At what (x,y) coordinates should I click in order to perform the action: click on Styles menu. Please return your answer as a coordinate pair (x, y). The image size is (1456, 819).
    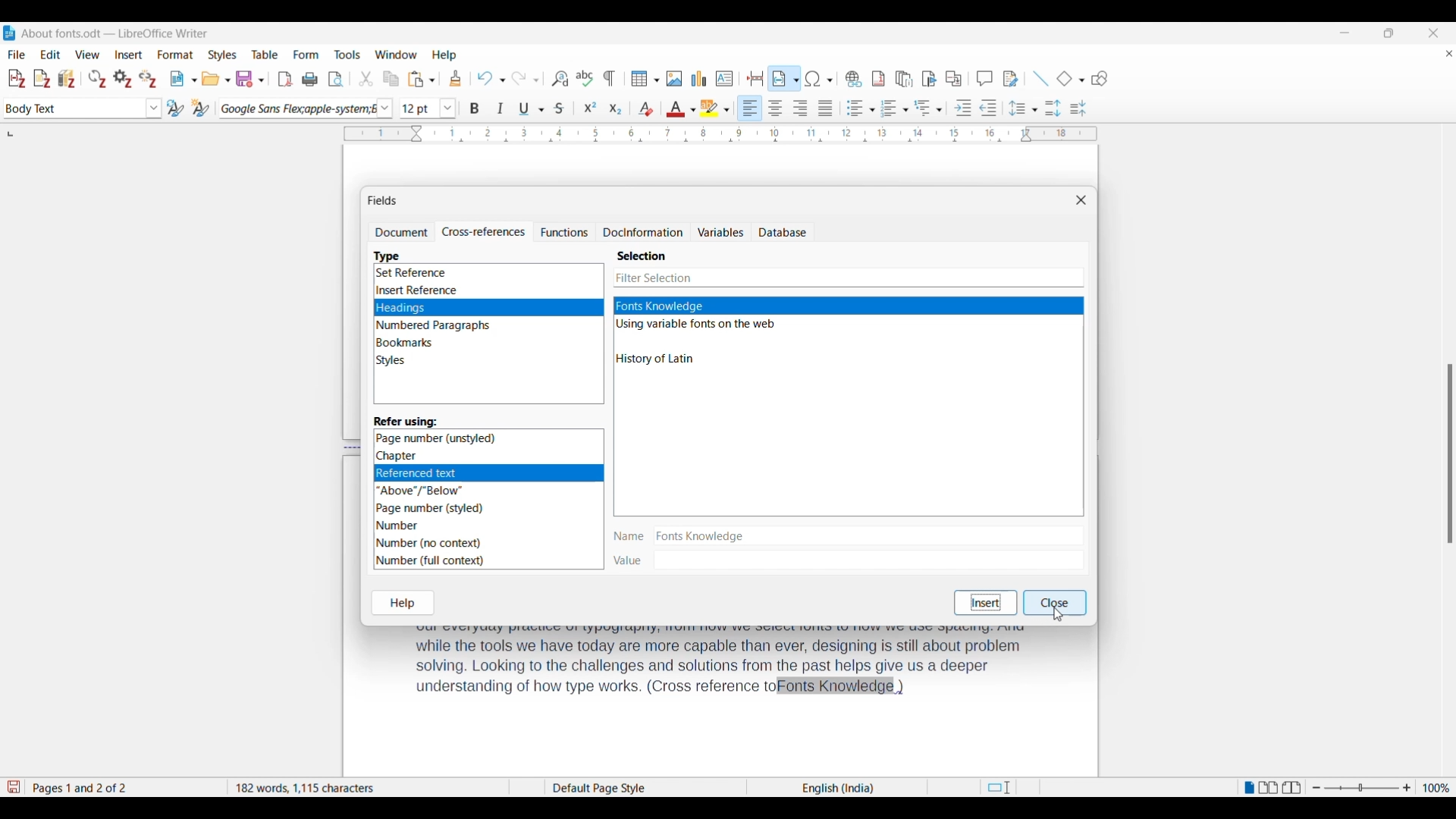
    Looking at the image, I should click on (222, 55).